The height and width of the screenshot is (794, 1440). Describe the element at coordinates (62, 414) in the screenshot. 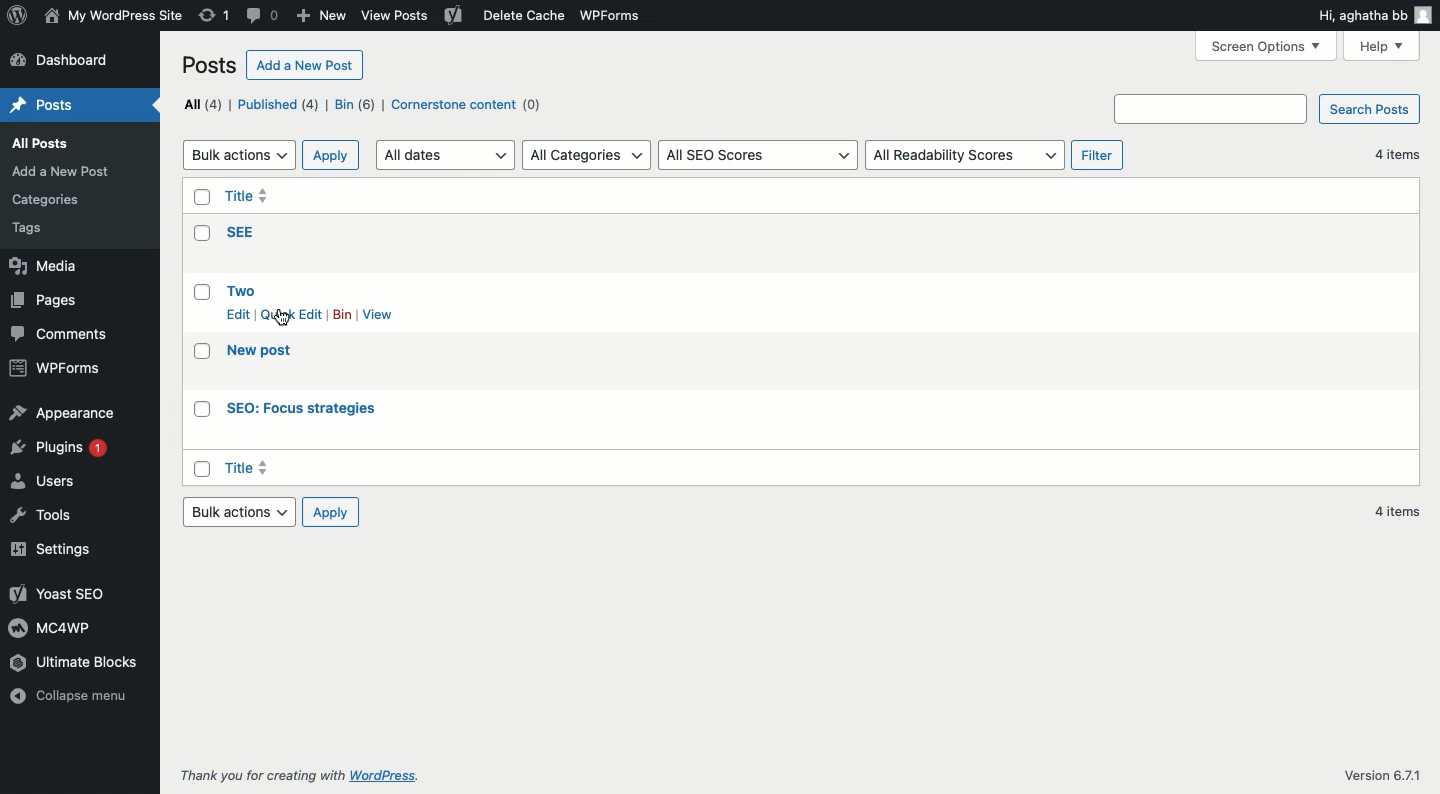

I see `Appearance` at that location.